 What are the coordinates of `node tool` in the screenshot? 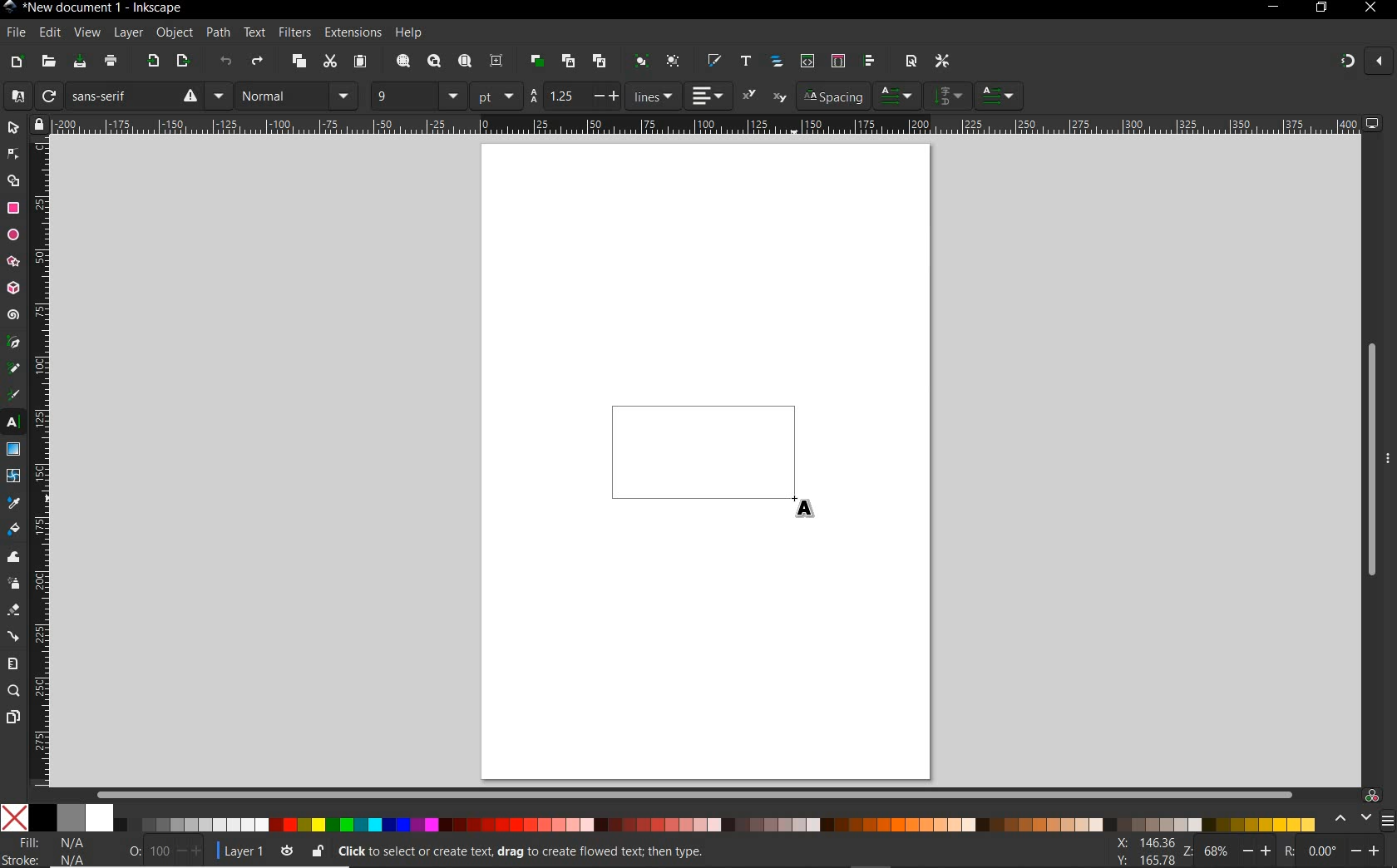 It's located at (13, 154).